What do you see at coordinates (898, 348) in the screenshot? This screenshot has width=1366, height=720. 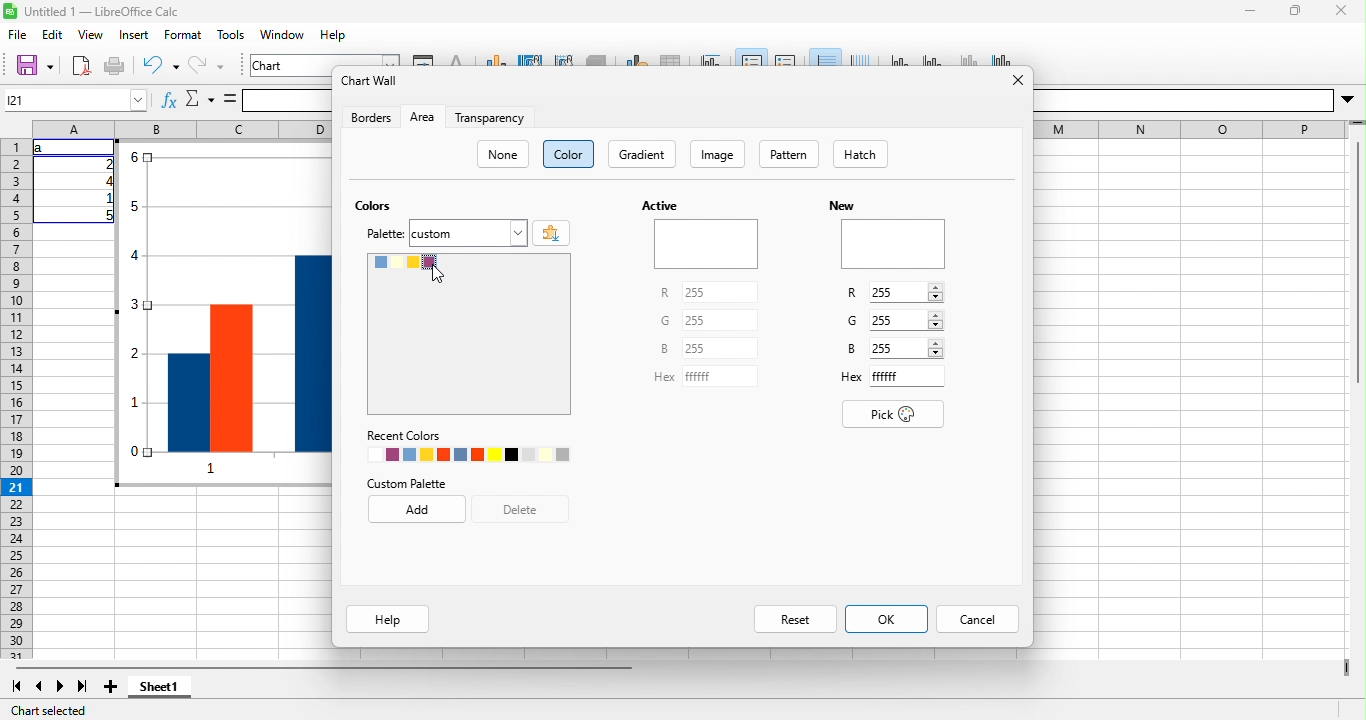 I see `Input B value` at bounding box center [898, 348].